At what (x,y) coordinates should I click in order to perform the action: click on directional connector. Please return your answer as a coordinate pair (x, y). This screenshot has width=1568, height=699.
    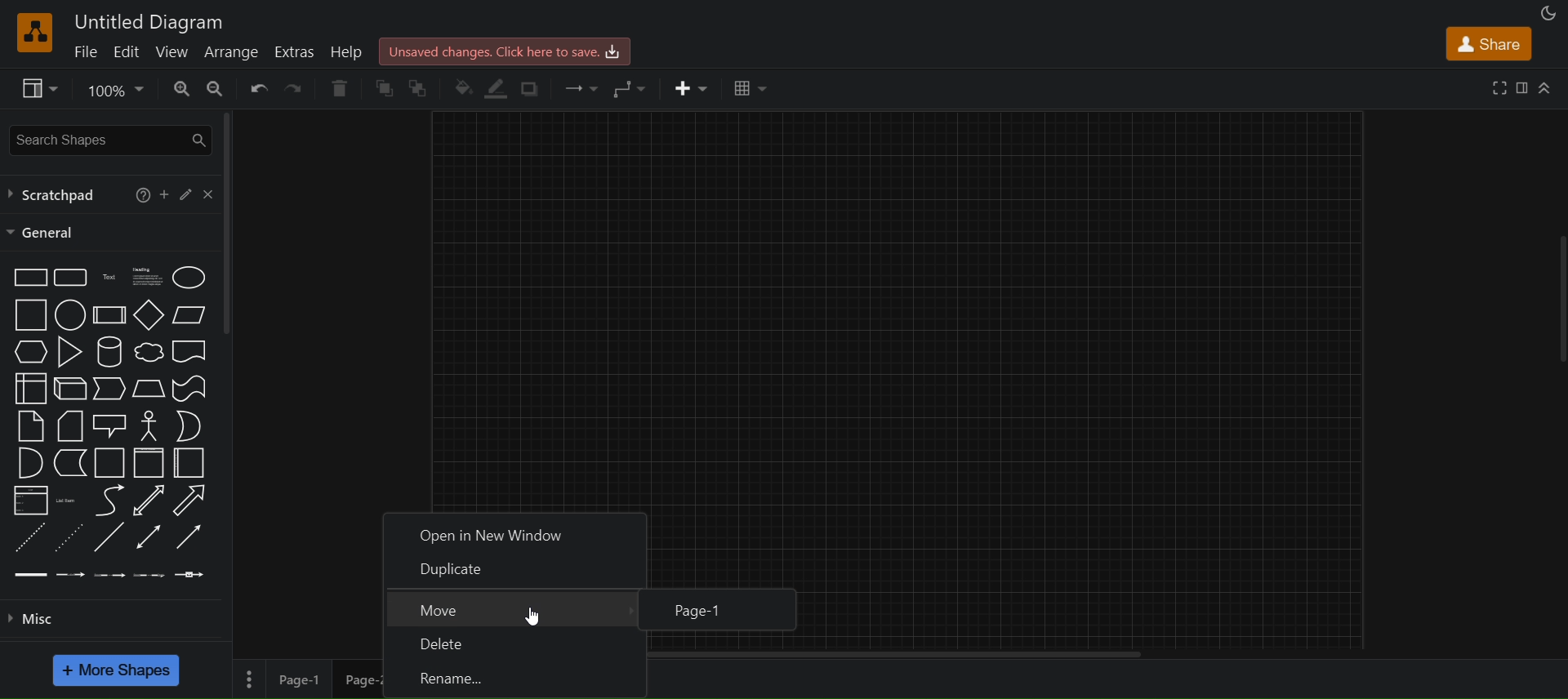
    Looking at the image, I should click on (189, 536).